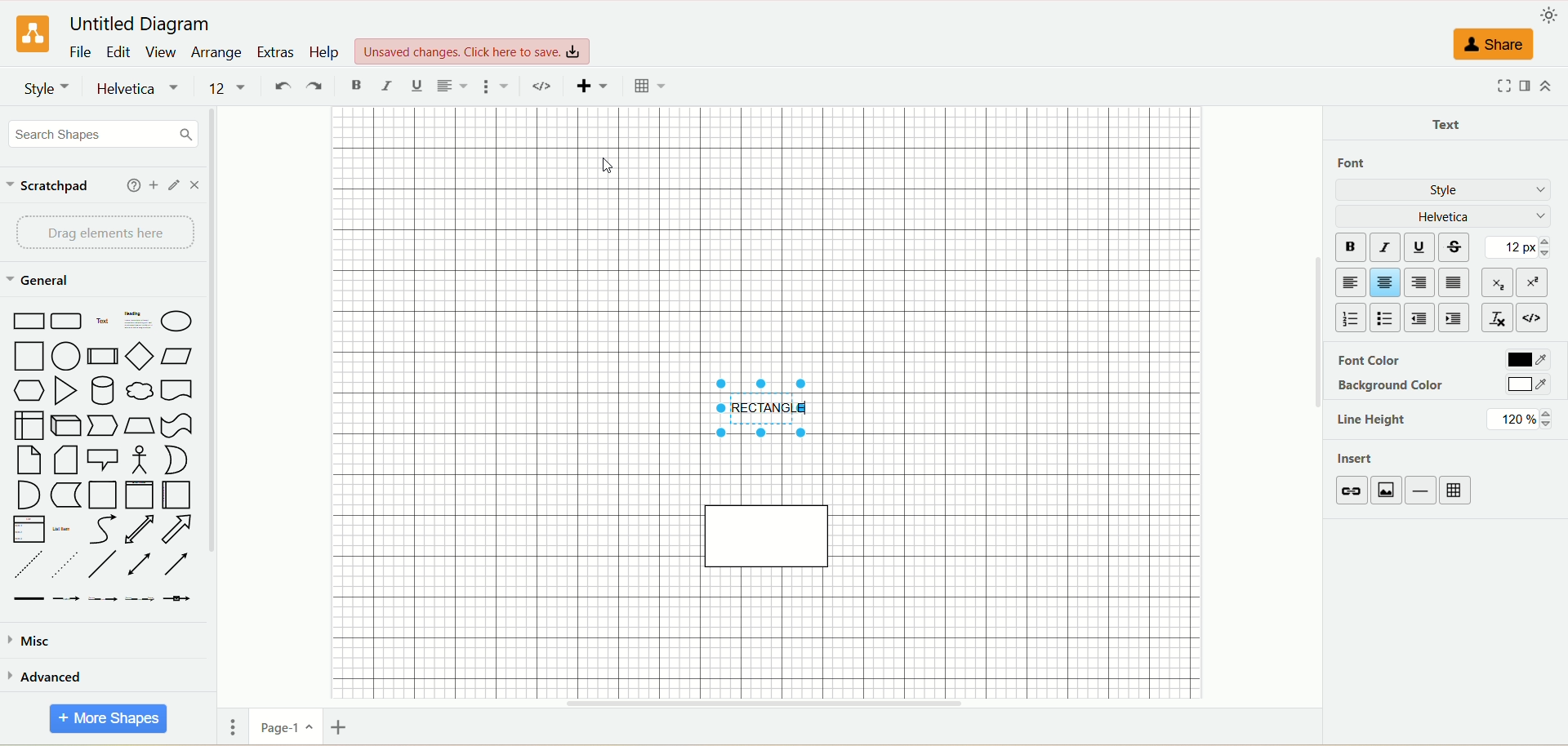 The image size is (1568, 746). What do you see at coordinates (198, 188) in the screenshot?
I see `close` at bounding box center [198, 188].